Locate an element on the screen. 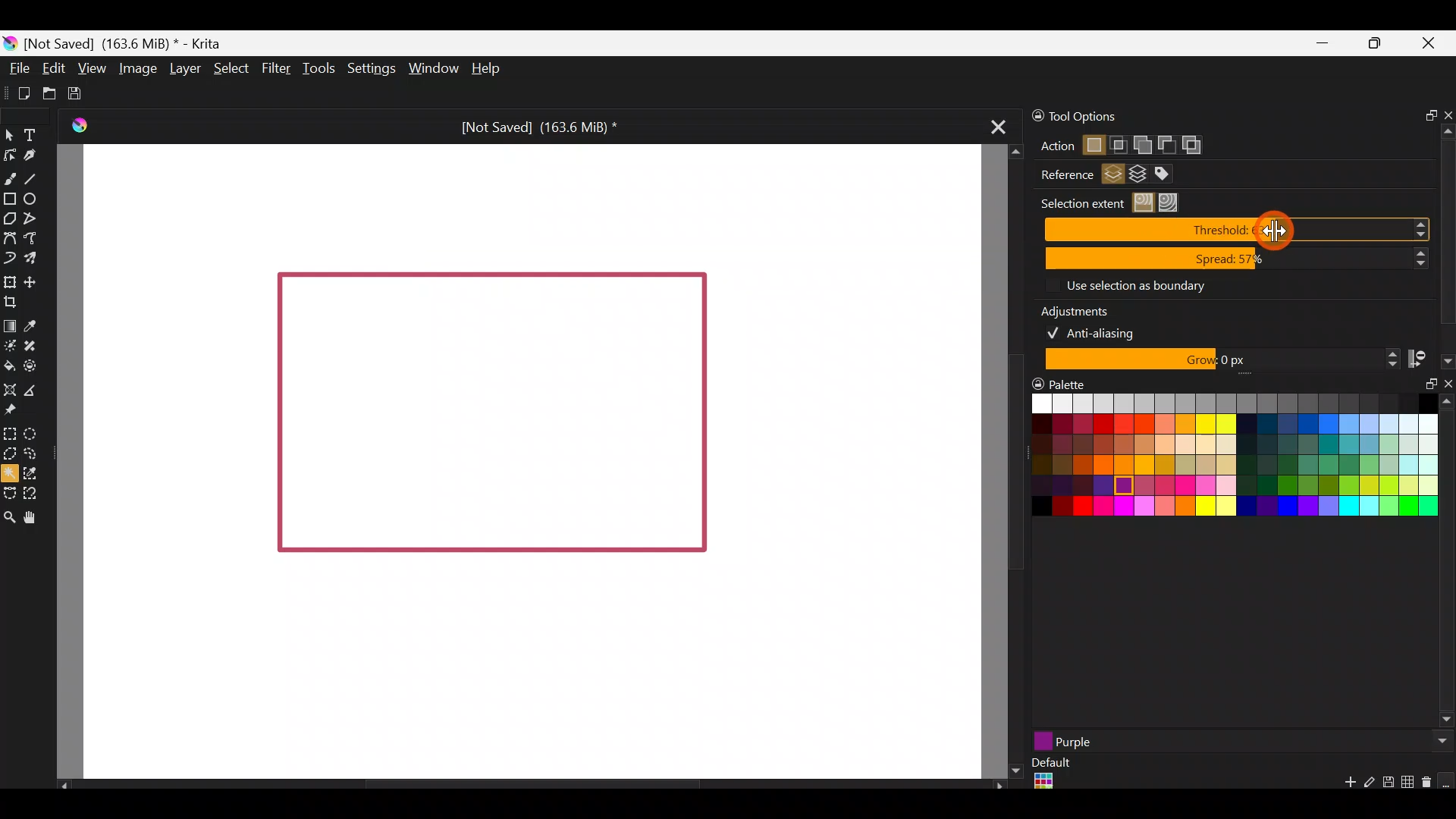  Transform a layer/selection is located at coordinates (9, 280).